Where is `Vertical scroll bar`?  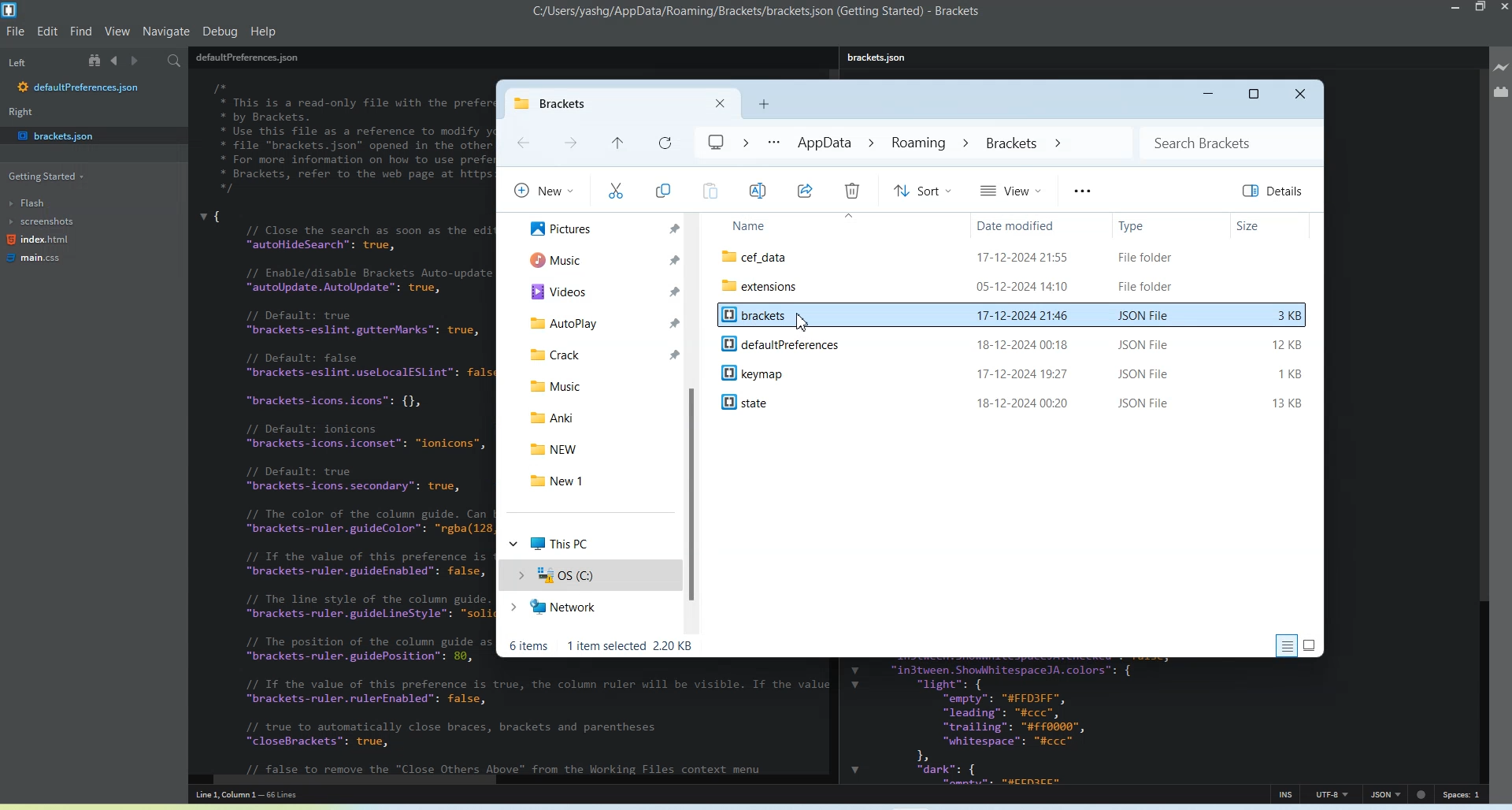
Vertical scroll bar is located at coordinates (695, 423).